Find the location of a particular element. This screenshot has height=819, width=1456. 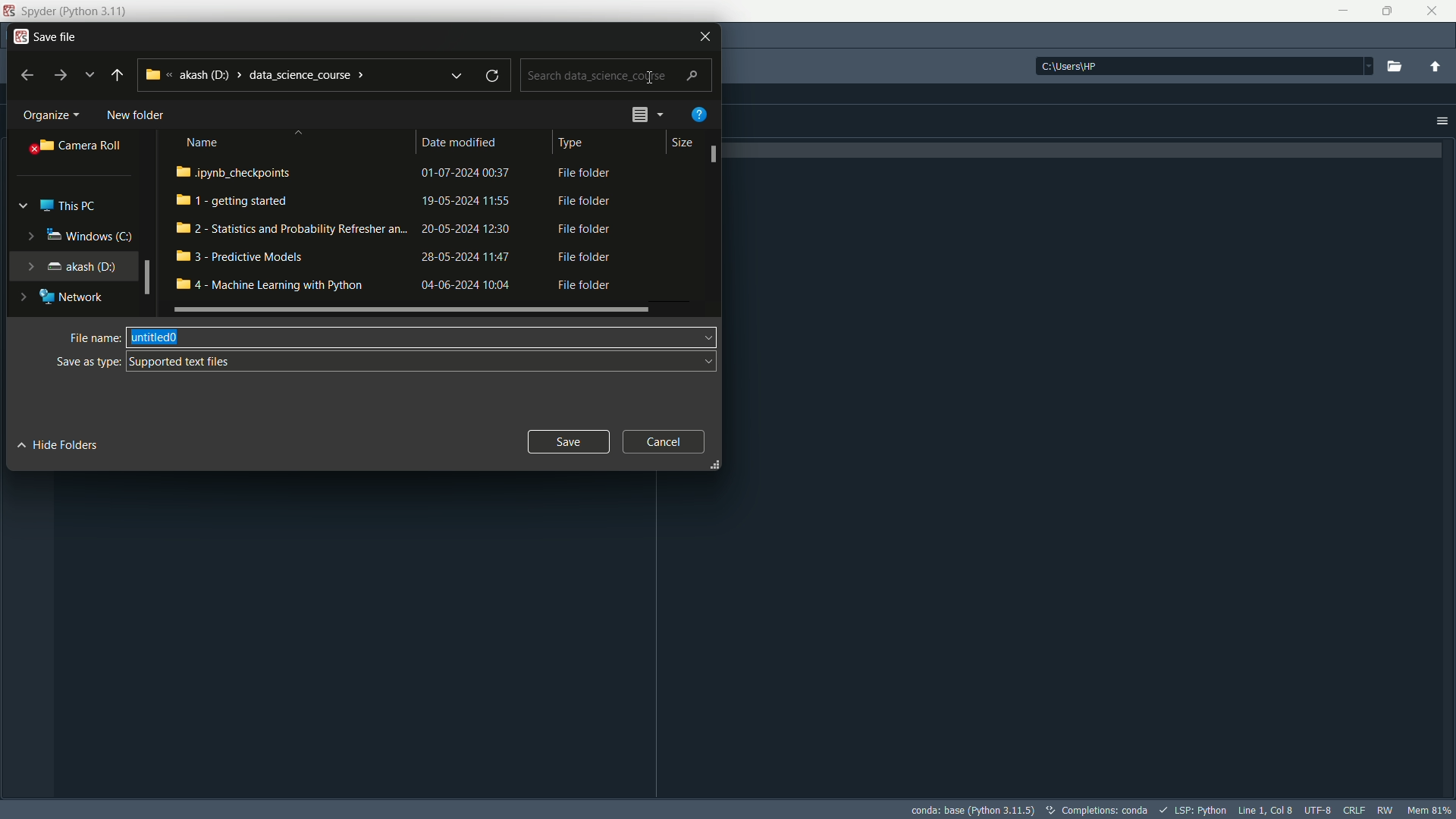

Extend is located at coordinates (27, 296).